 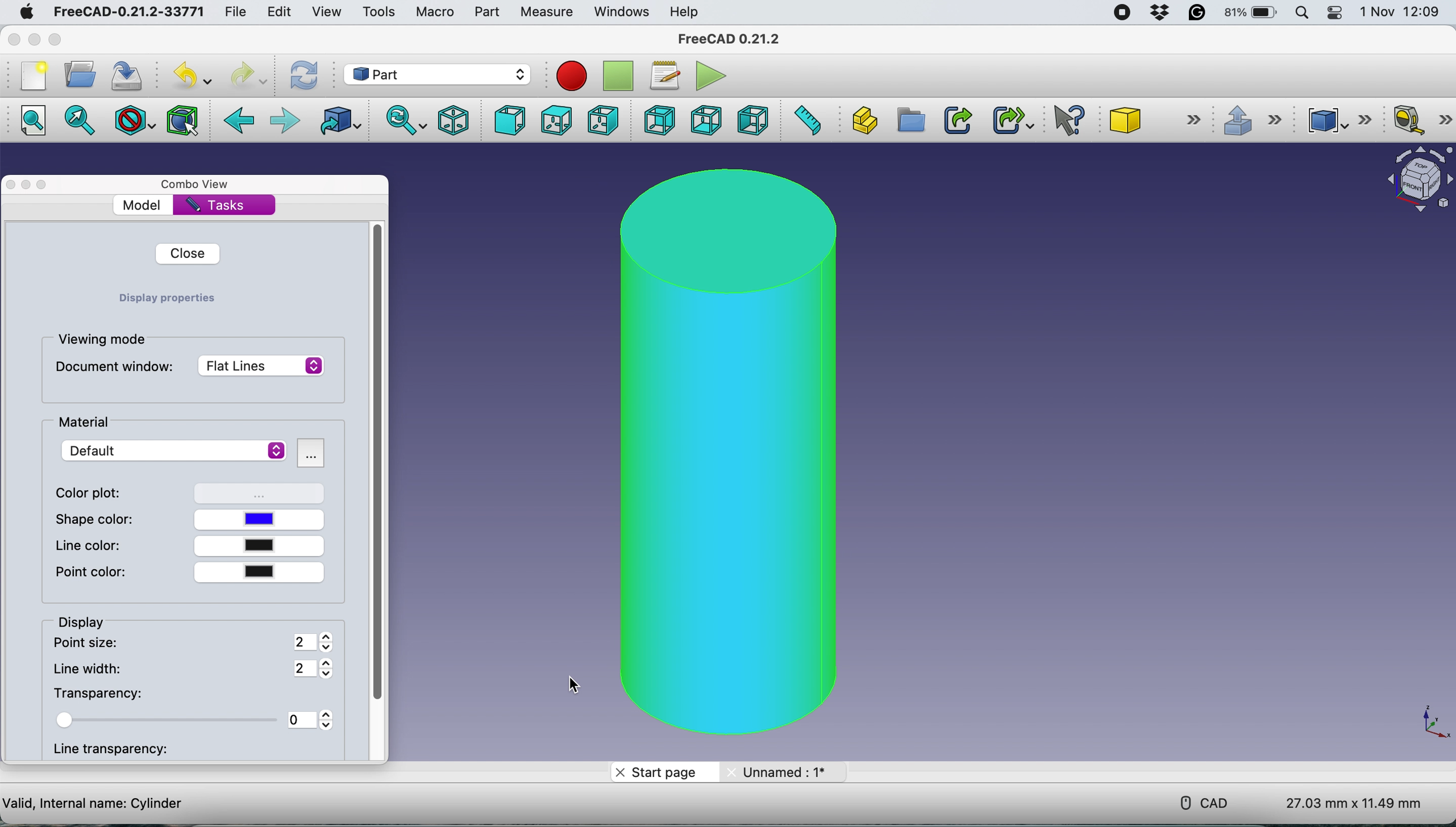 I want to click on close, so click(x=14, y=39).